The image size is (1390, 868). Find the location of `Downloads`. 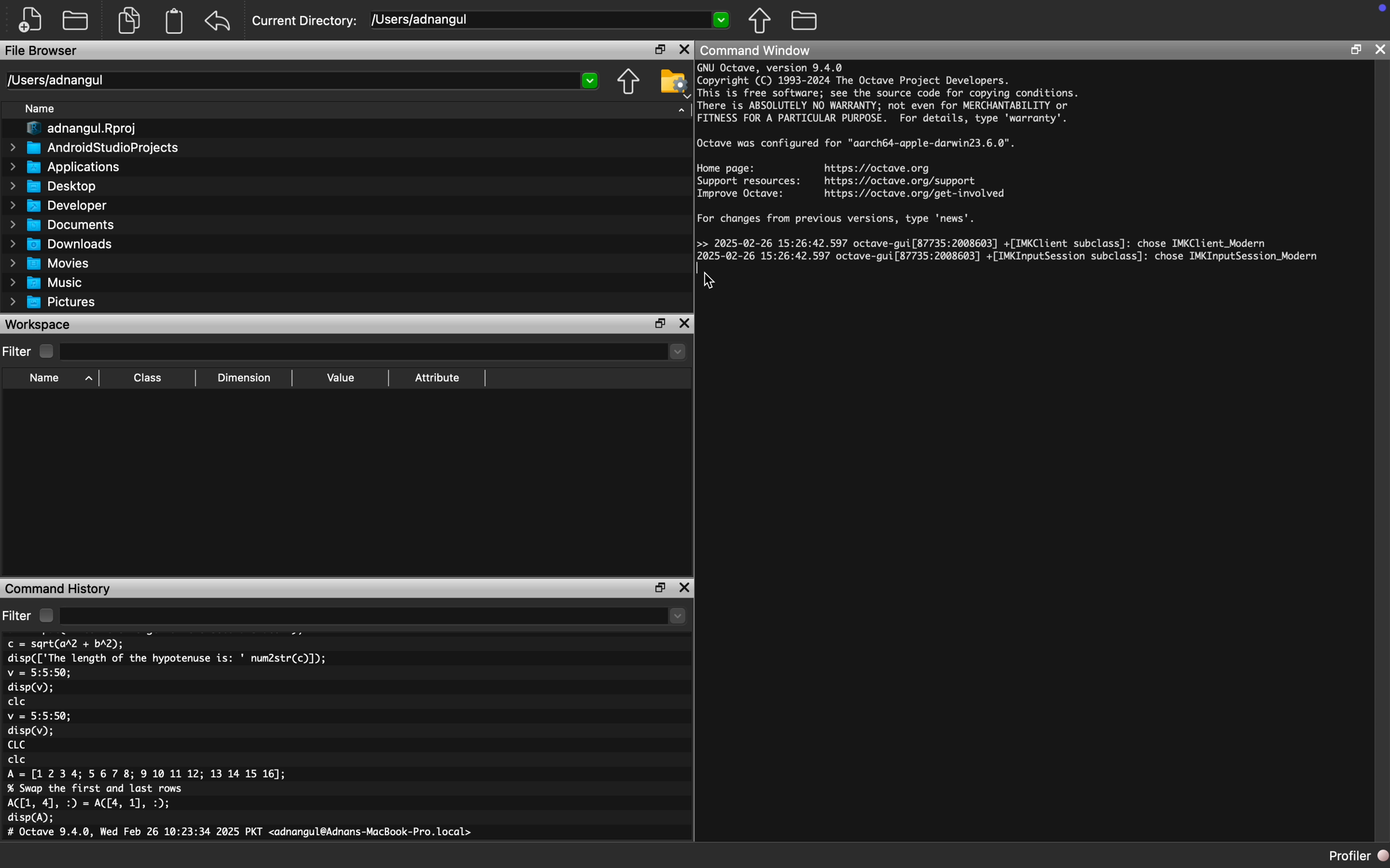

Downloads is located at coordinates (61, 243).